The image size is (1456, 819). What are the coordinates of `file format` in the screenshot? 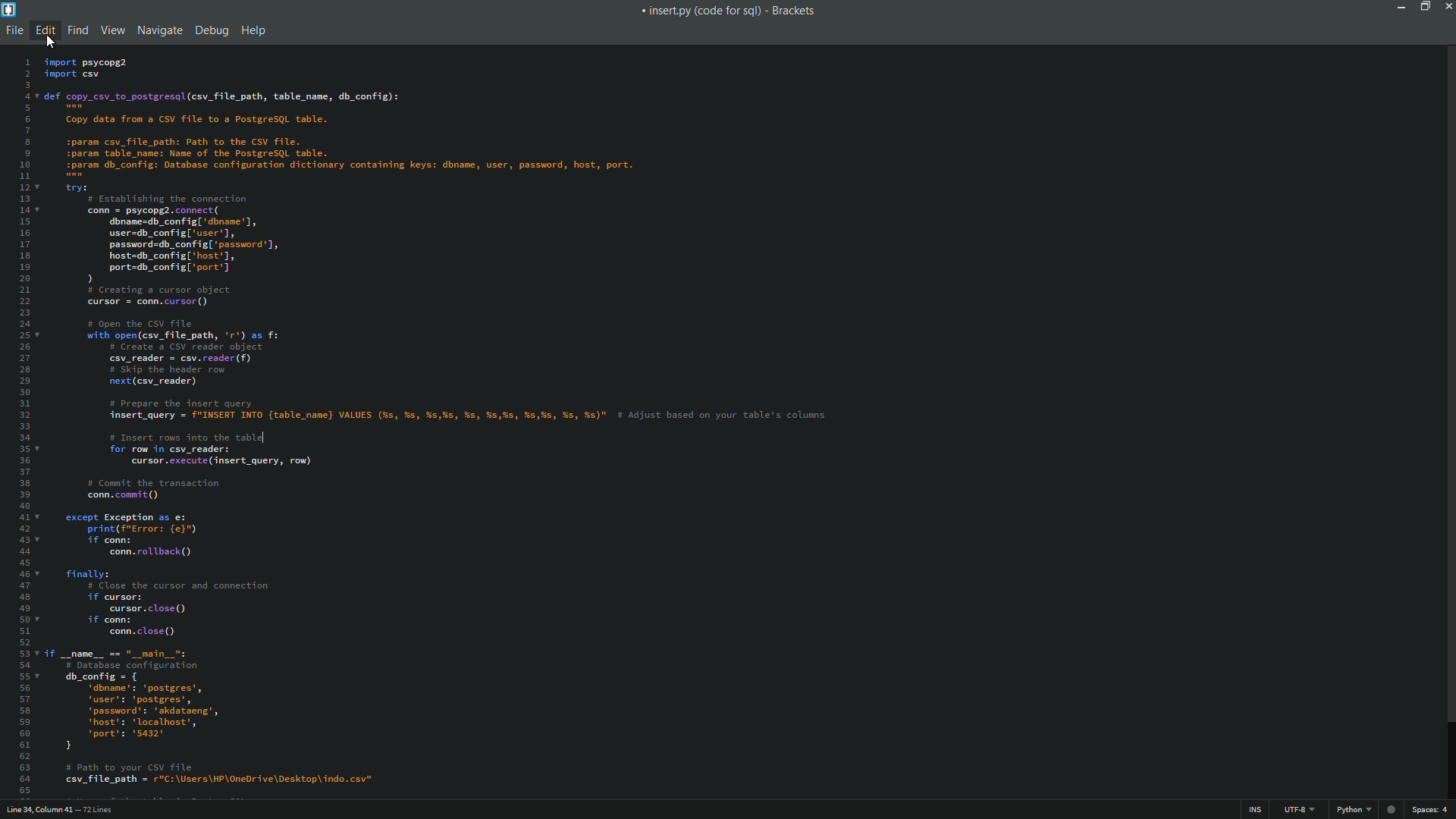 It's located at (1357, 810).